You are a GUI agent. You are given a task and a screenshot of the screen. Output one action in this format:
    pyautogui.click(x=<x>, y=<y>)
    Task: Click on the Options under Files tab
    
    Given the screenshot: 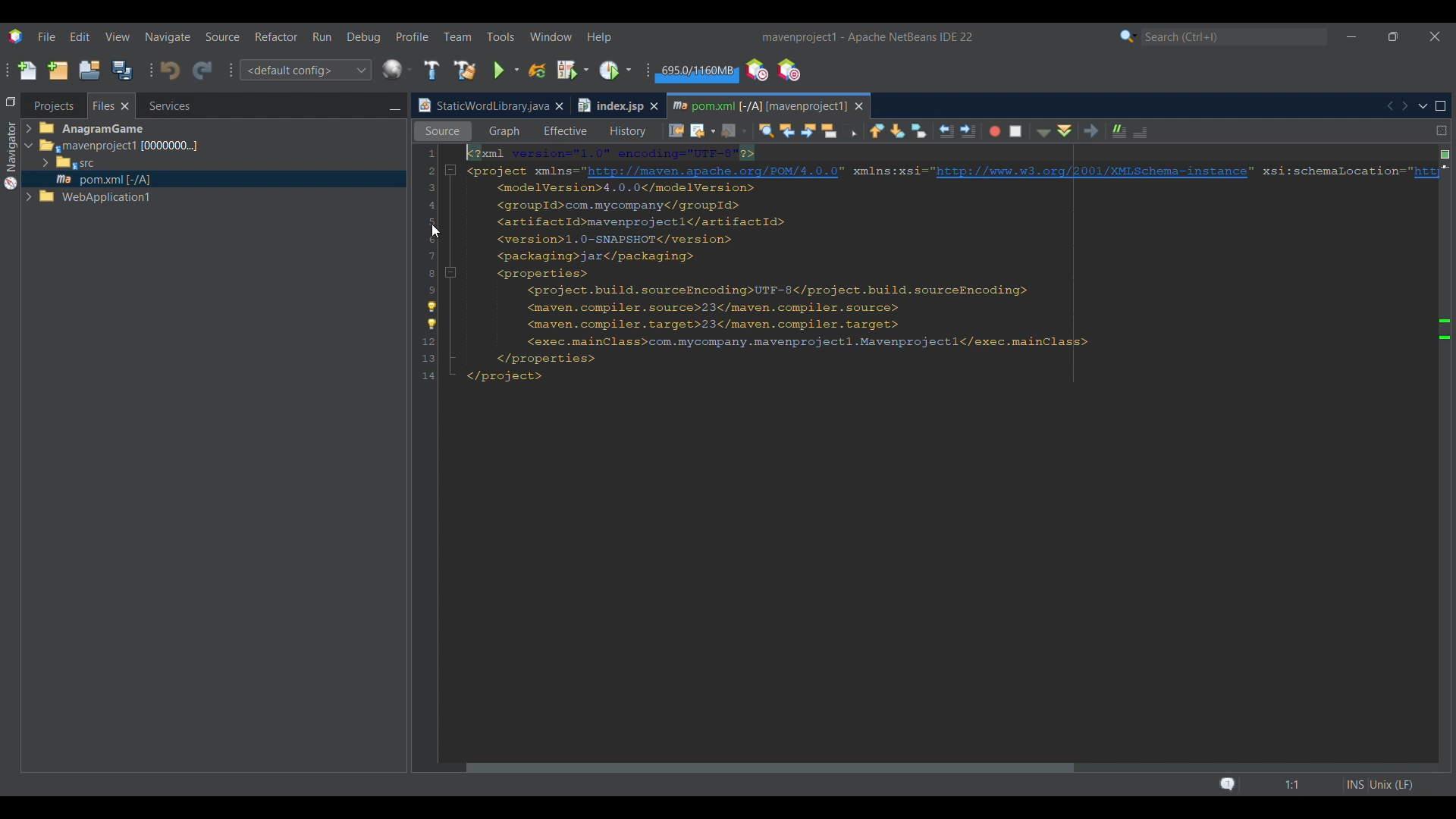 What is the action you would take?
    pyautogui.click(x=107, y=165)
    